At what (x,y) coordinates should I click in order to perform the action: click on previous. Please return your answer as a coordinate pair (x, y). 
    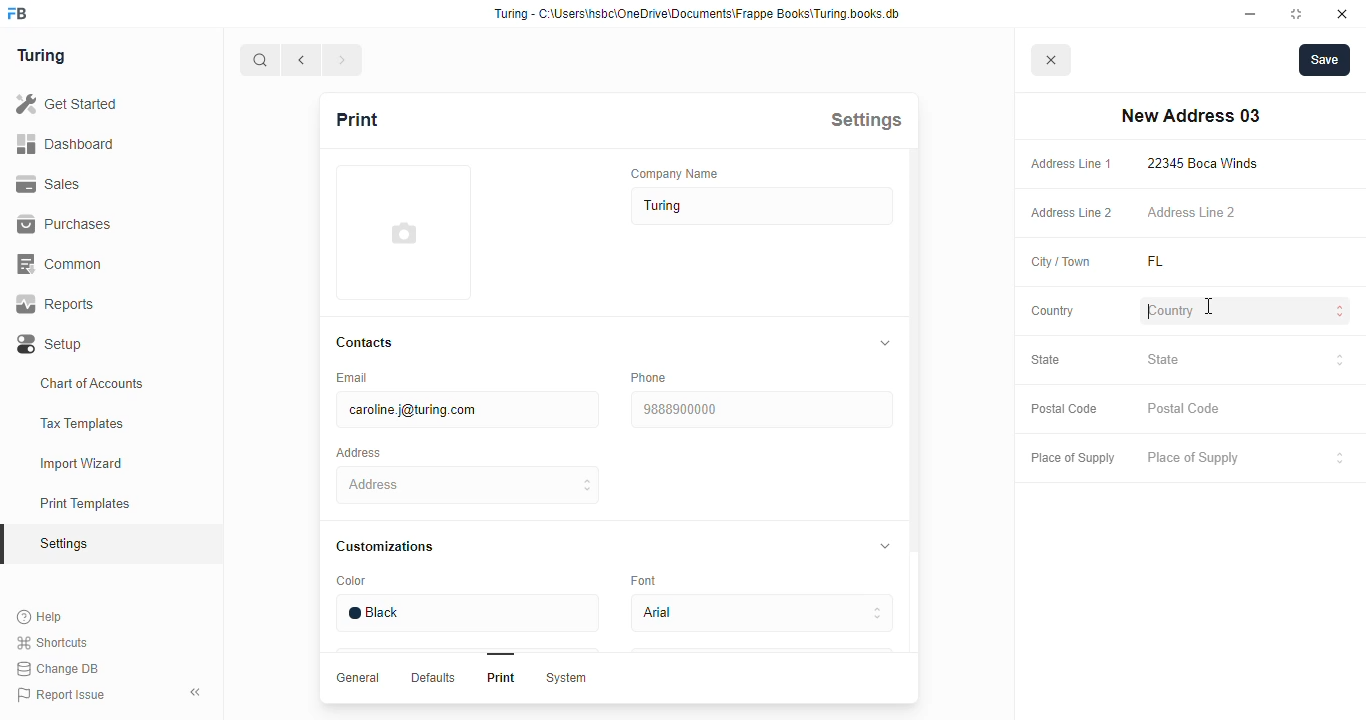
    Looking at the image, I should click on (302, 60).